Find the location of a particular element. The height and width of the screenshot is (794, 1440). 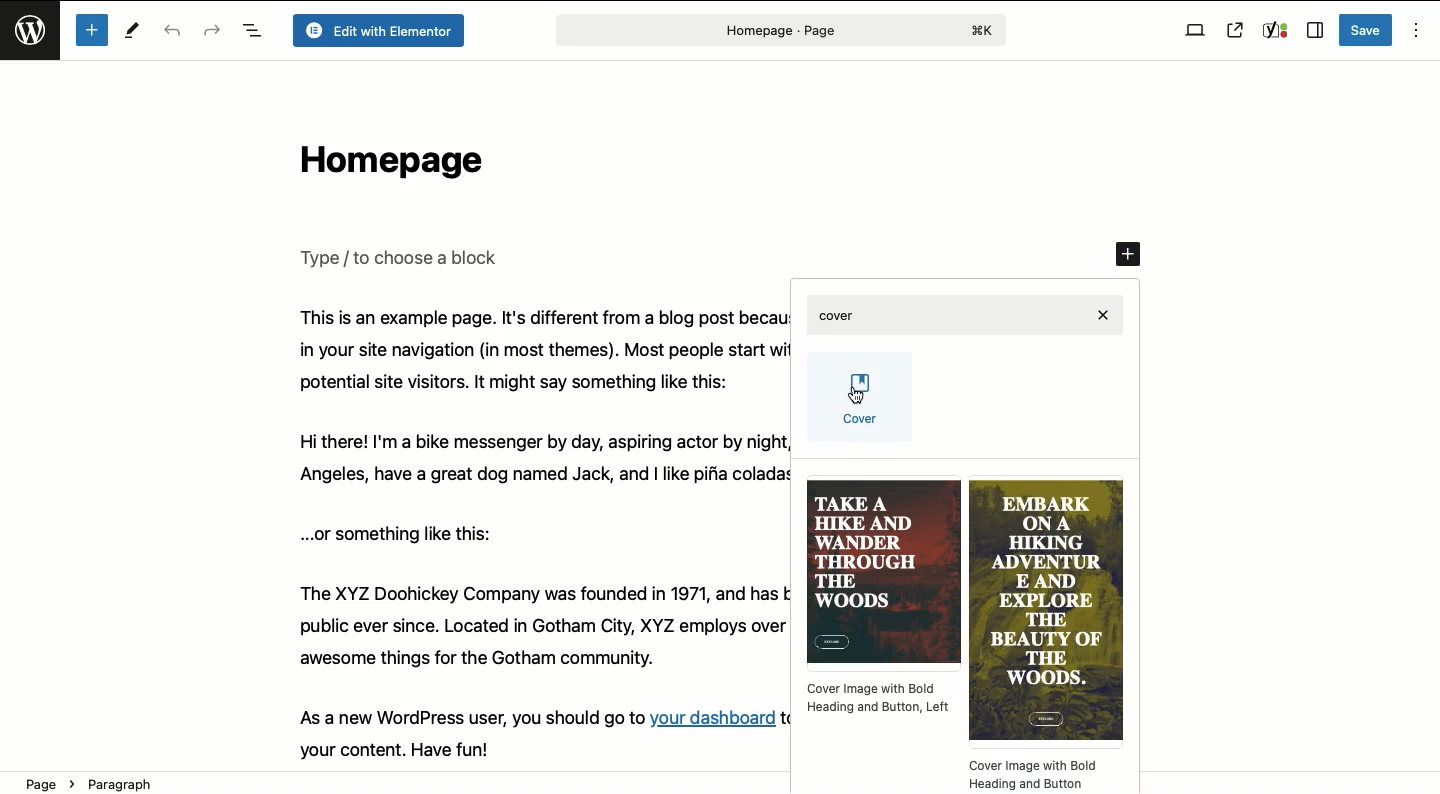

This is an example page. It's different from a blog post because it will stay in one place and will show up
in your site navigation (in most themes). Most people start with an About page that introduces them to
potential site visitors. It might say something like this: is located at coordinates (534, 350).